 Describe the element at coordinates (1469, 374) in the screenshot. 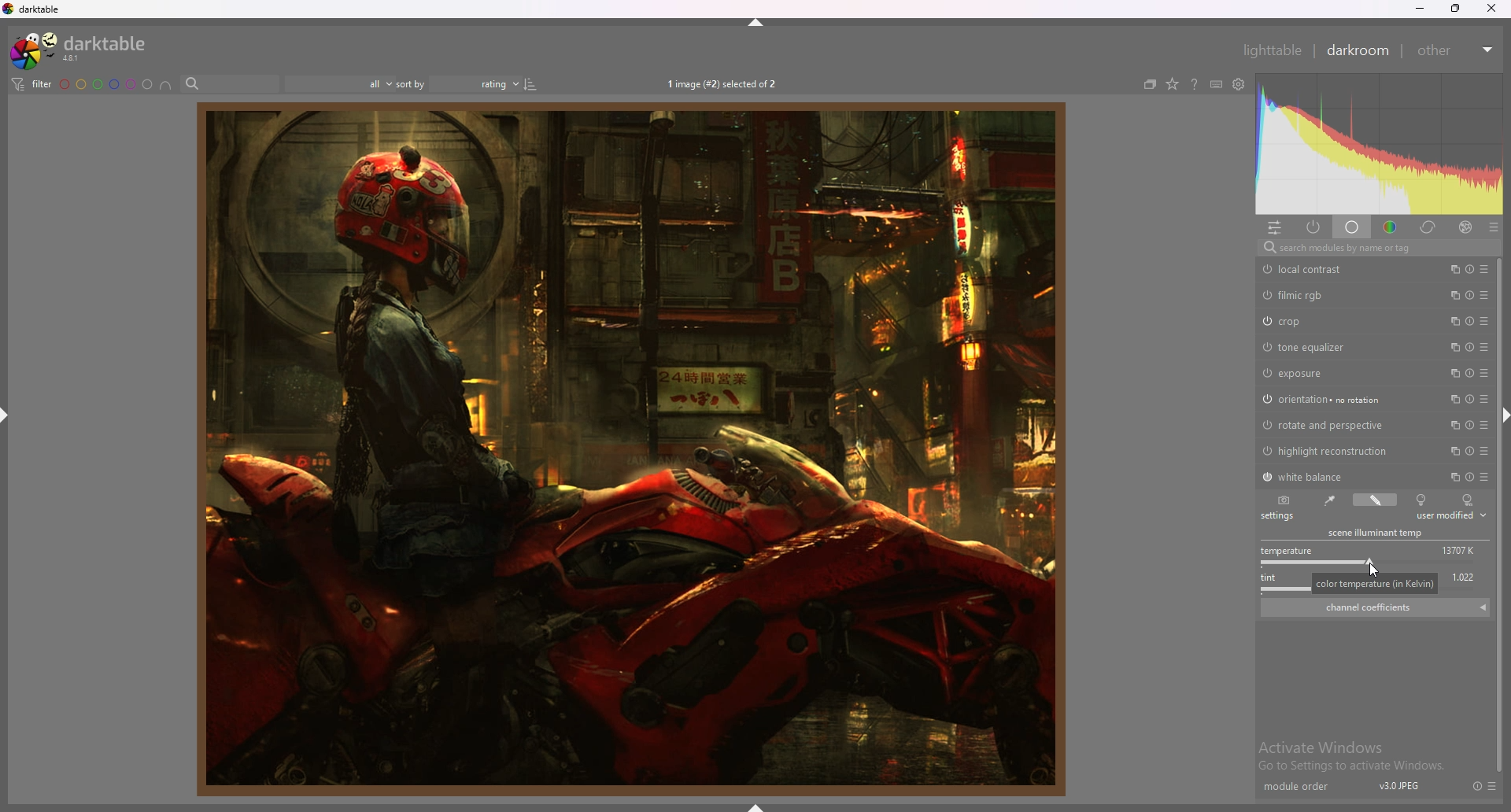

I see `reset` at that location.